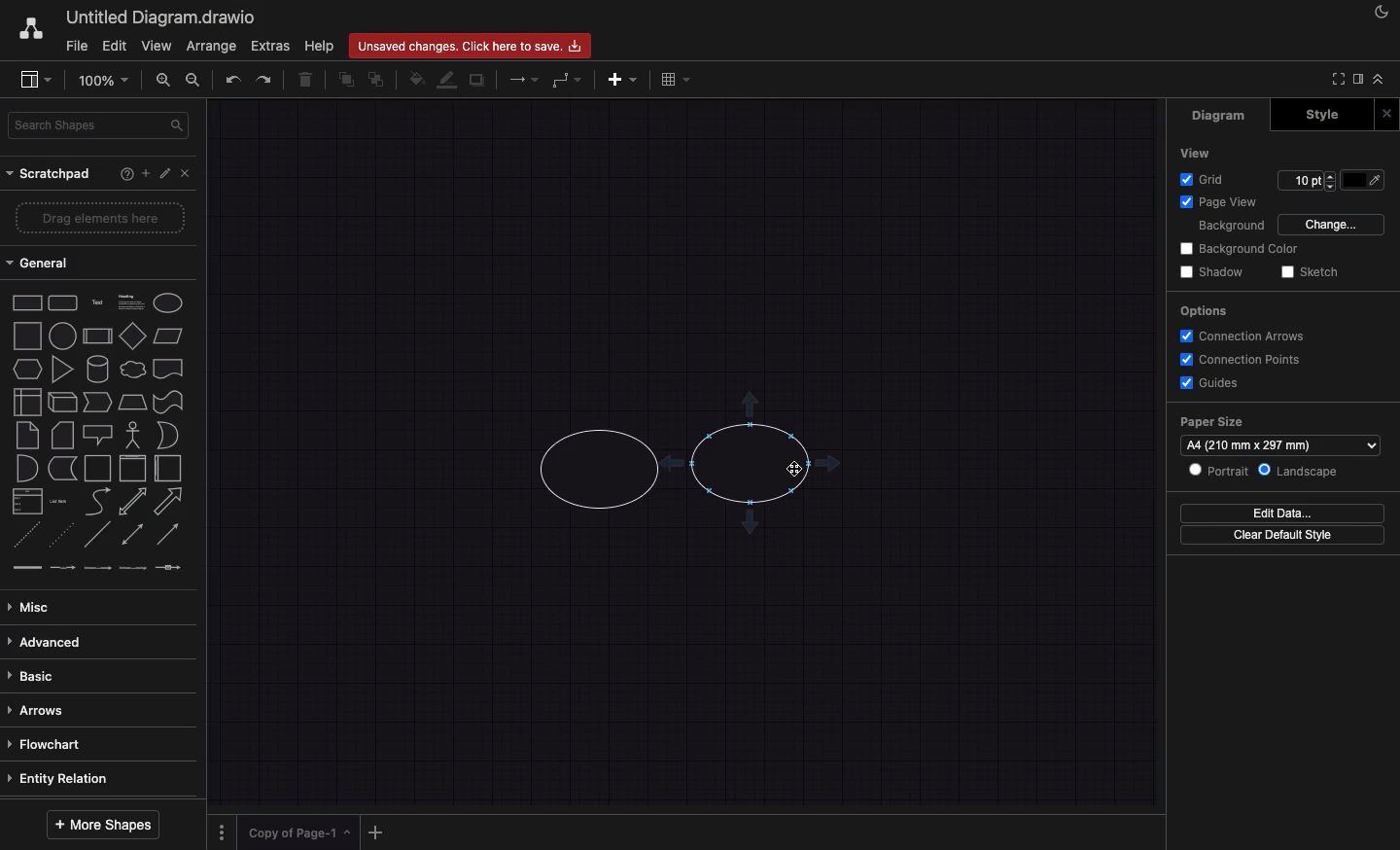 The image size is (1400, 850). What do you see at coordinates (1301, 472) in the screenshot?
I see `landscape` at bounding box center [1301, 472].